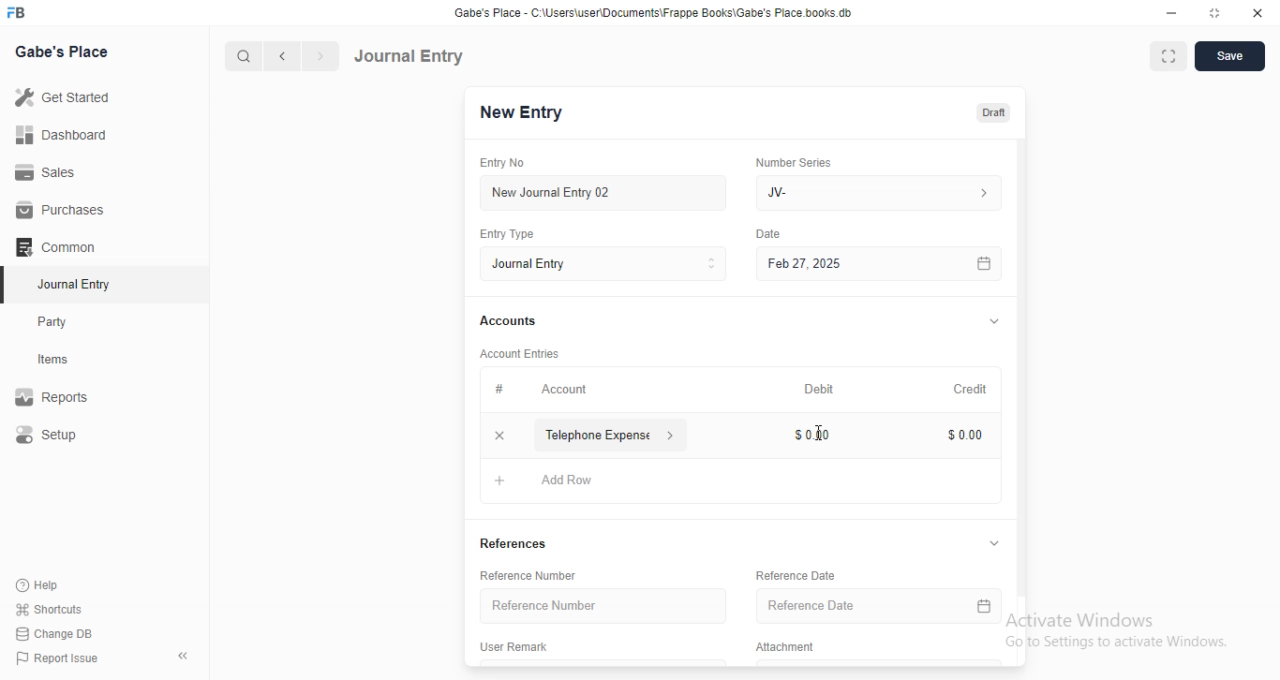  What do you see at coordinates (819, 390) in the screenshot?
I see `Debit` at bounding box center [819, 390].